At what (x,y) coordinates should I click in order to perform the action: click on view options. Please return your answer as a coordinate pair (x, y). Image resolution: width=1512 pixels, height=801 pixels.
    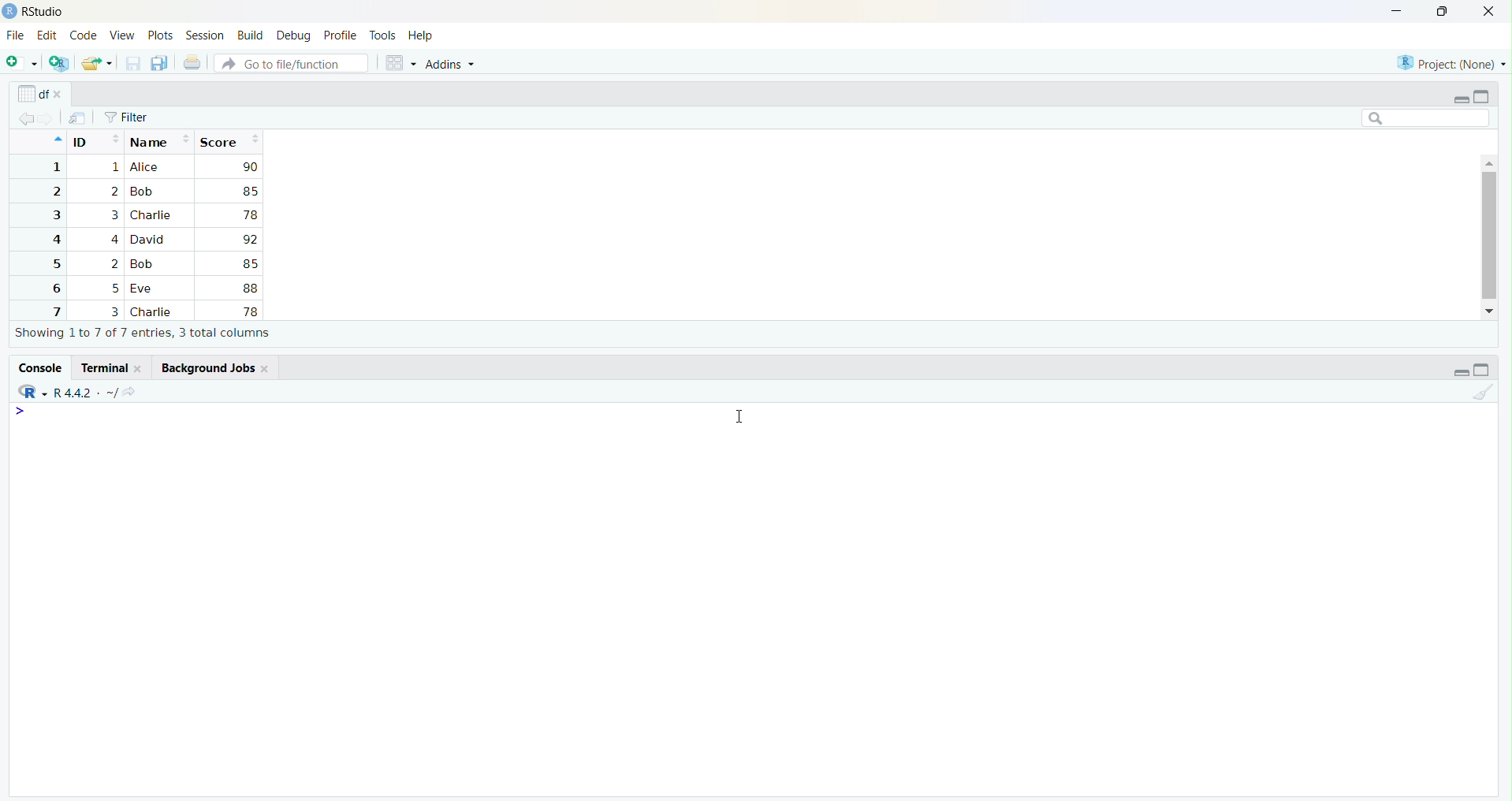
    Looking at the image, I should click on (400, 63).